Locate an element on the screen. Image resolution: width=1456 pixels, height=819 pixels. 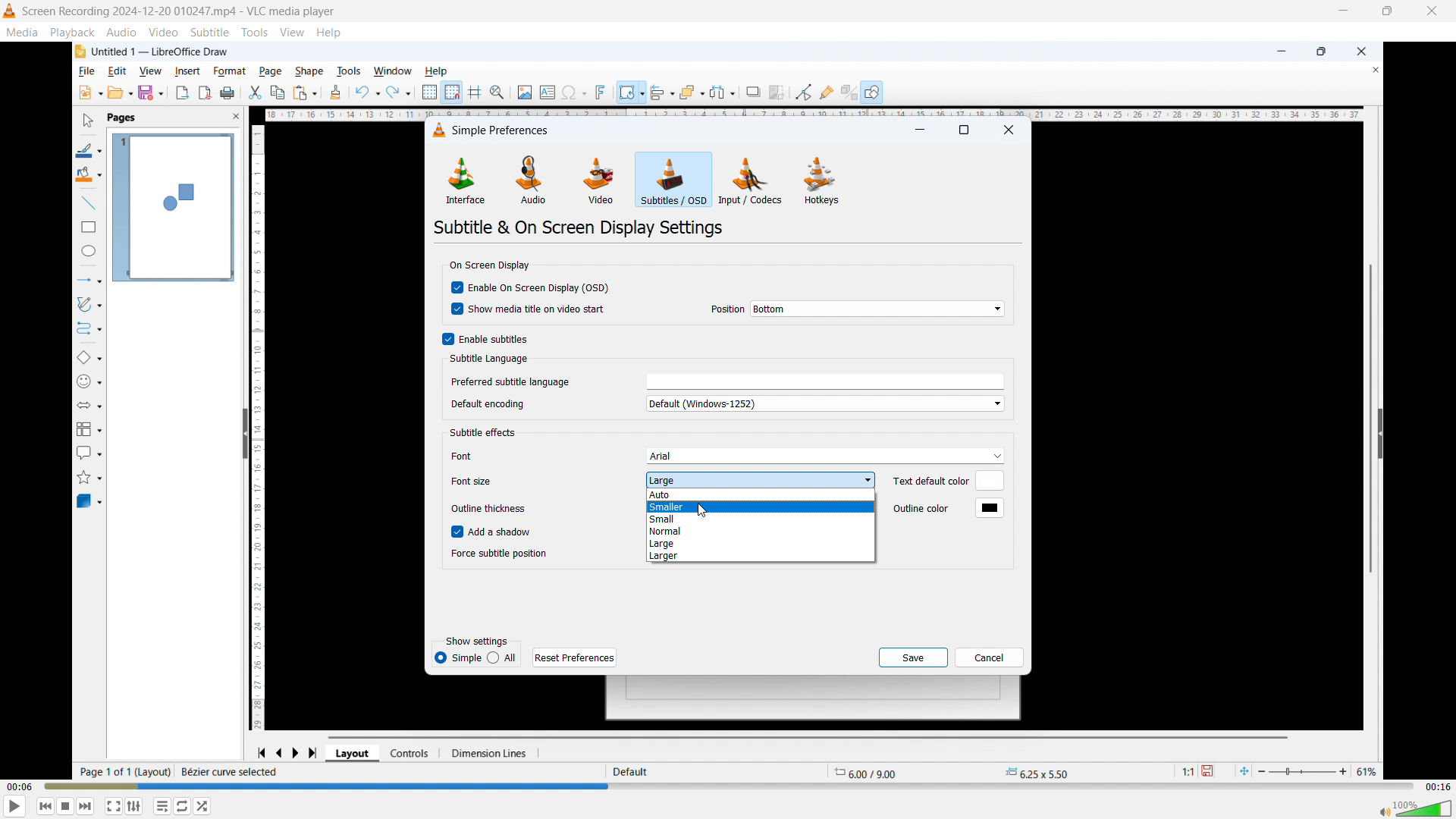
save is located at coordinates (914, 658).